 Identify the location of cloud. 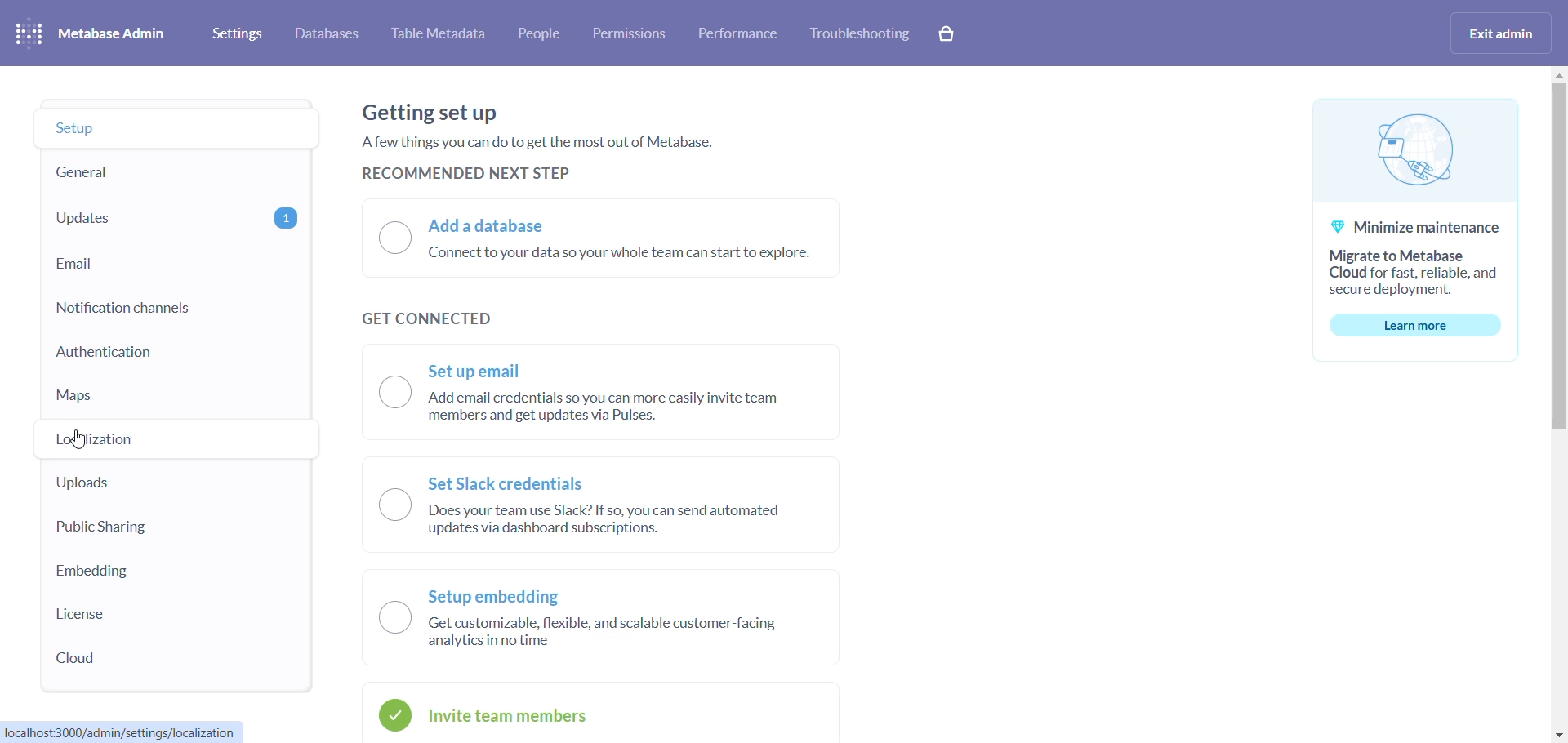
(155, 654).